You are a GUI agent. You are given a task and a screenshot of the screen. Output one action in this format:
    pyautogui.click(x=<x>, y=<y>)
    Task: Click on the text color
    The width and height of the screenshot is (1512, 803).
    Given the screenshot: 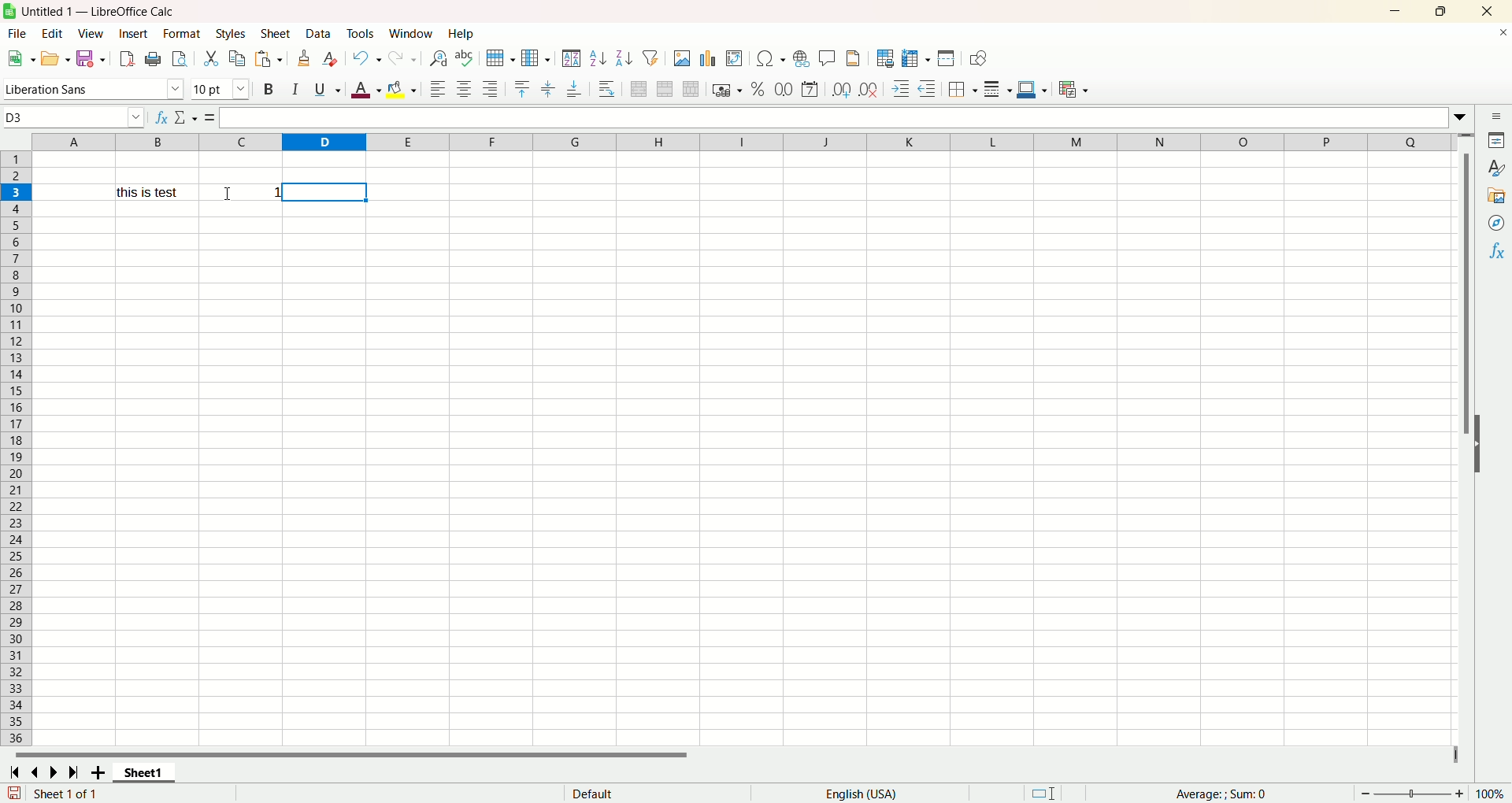 What is the action you would take?
    pyautogui.click(x=368, y=91)
    